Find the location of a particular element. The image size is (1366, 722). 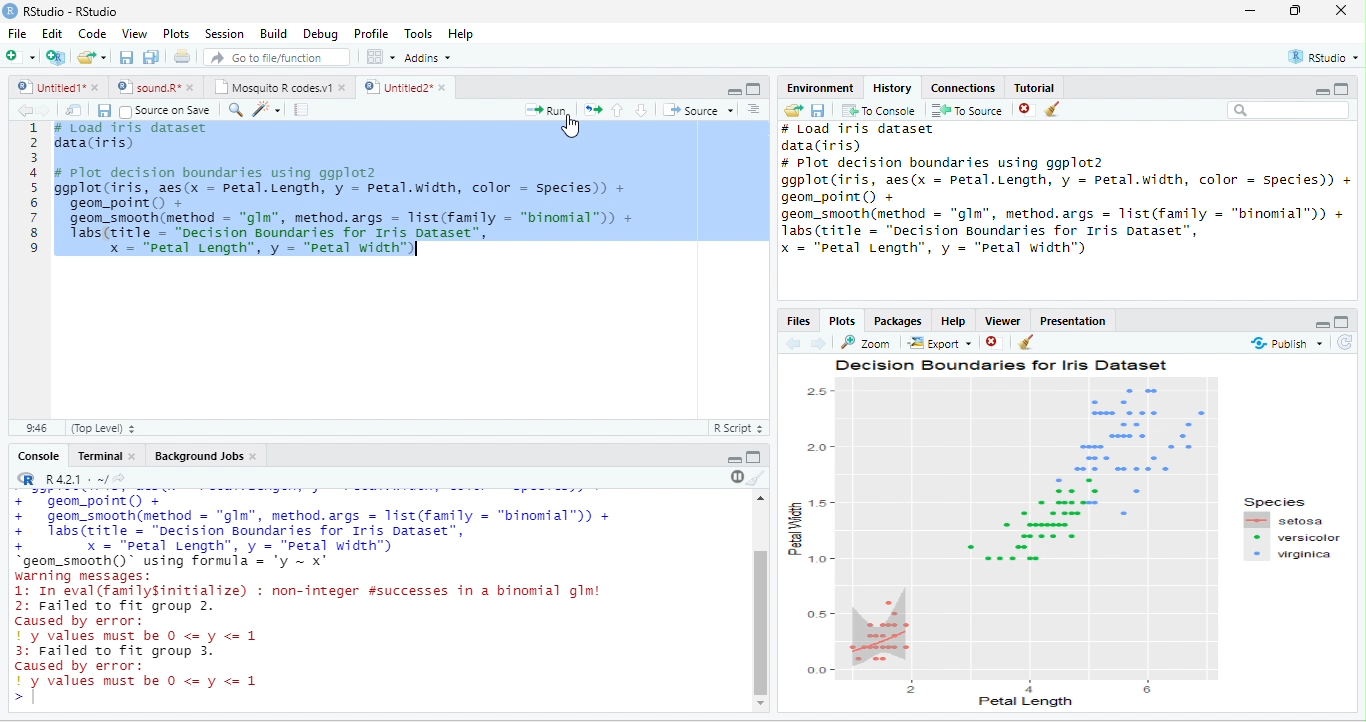

Maximize is located at coordinates (1341, 322).